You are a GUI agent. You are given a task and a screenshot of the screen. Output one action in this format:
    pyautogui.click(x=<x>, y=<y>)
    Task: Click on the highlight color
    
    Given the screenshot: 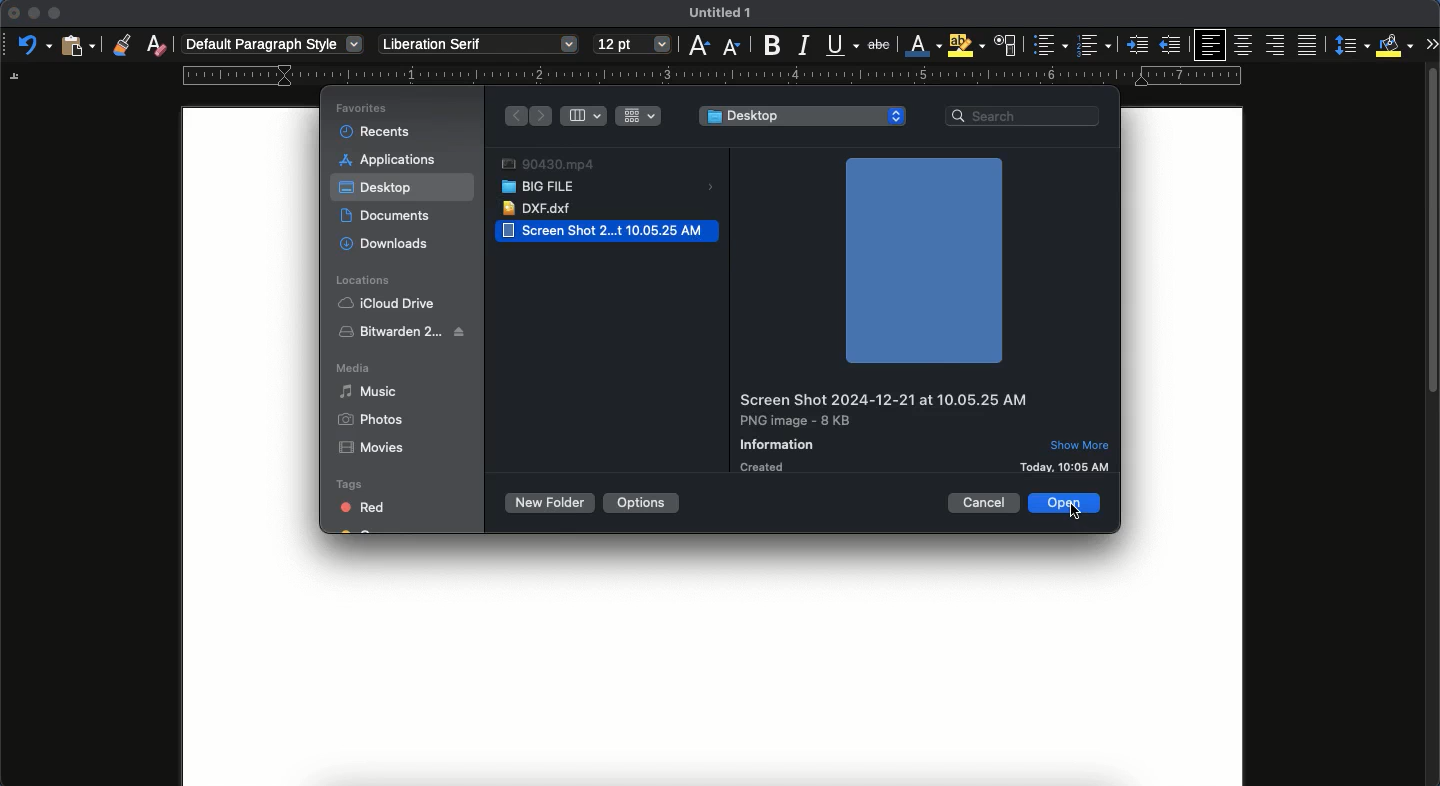 What is the action you would take?
    pyautogui.click(x=966, y=45)
    